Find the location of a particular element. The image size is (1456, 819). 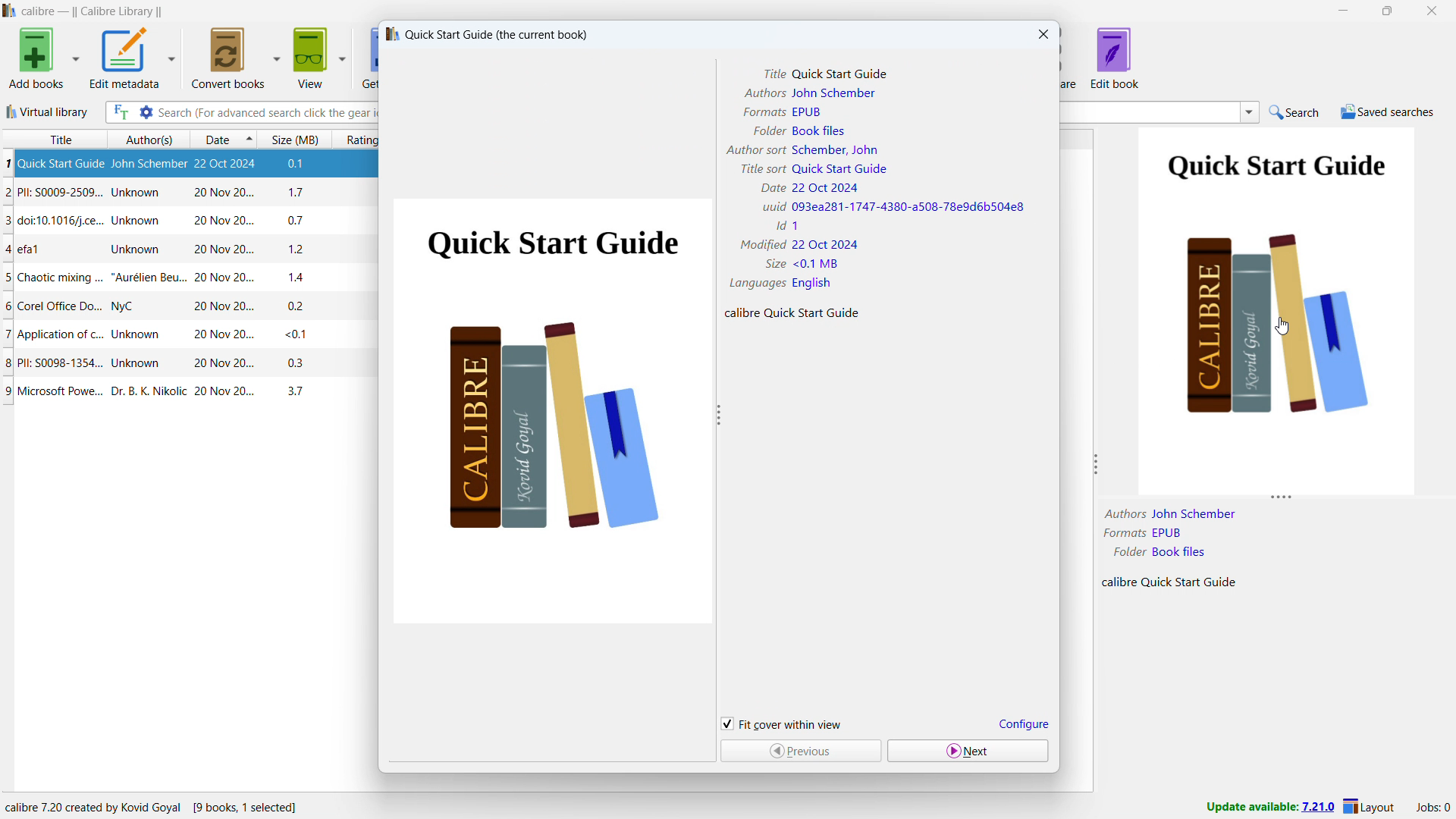

edit metadata is located at coordinates (126, 58).